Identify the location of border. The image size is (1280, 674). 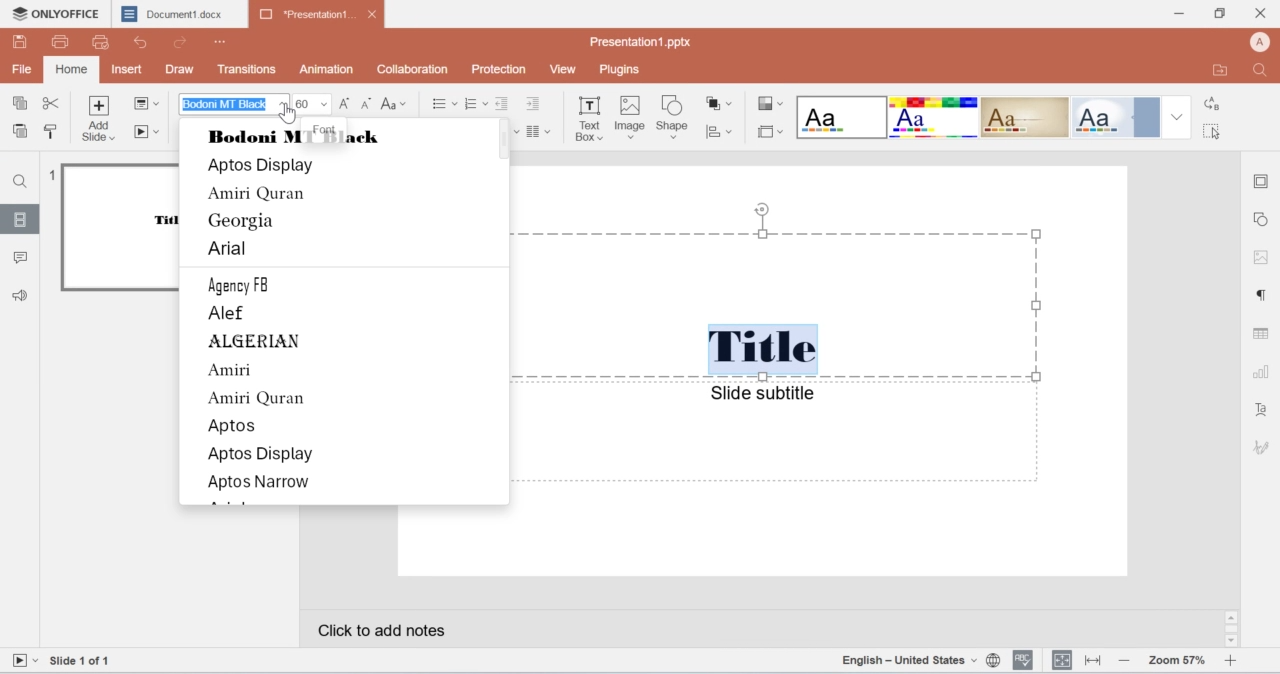
(1262, 179).